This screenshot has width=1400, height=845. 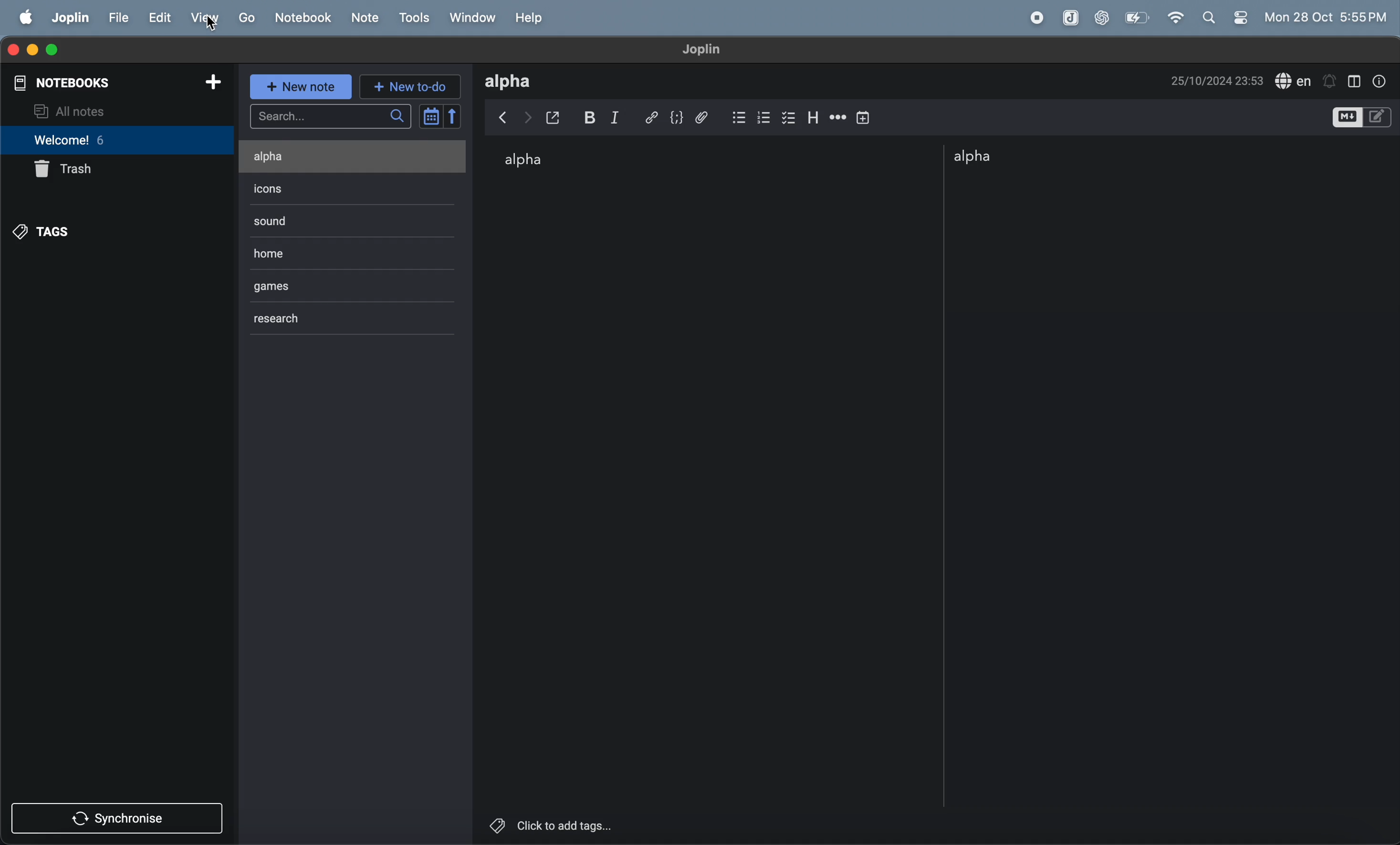 I want to click on back, so click(x=501, y=118).